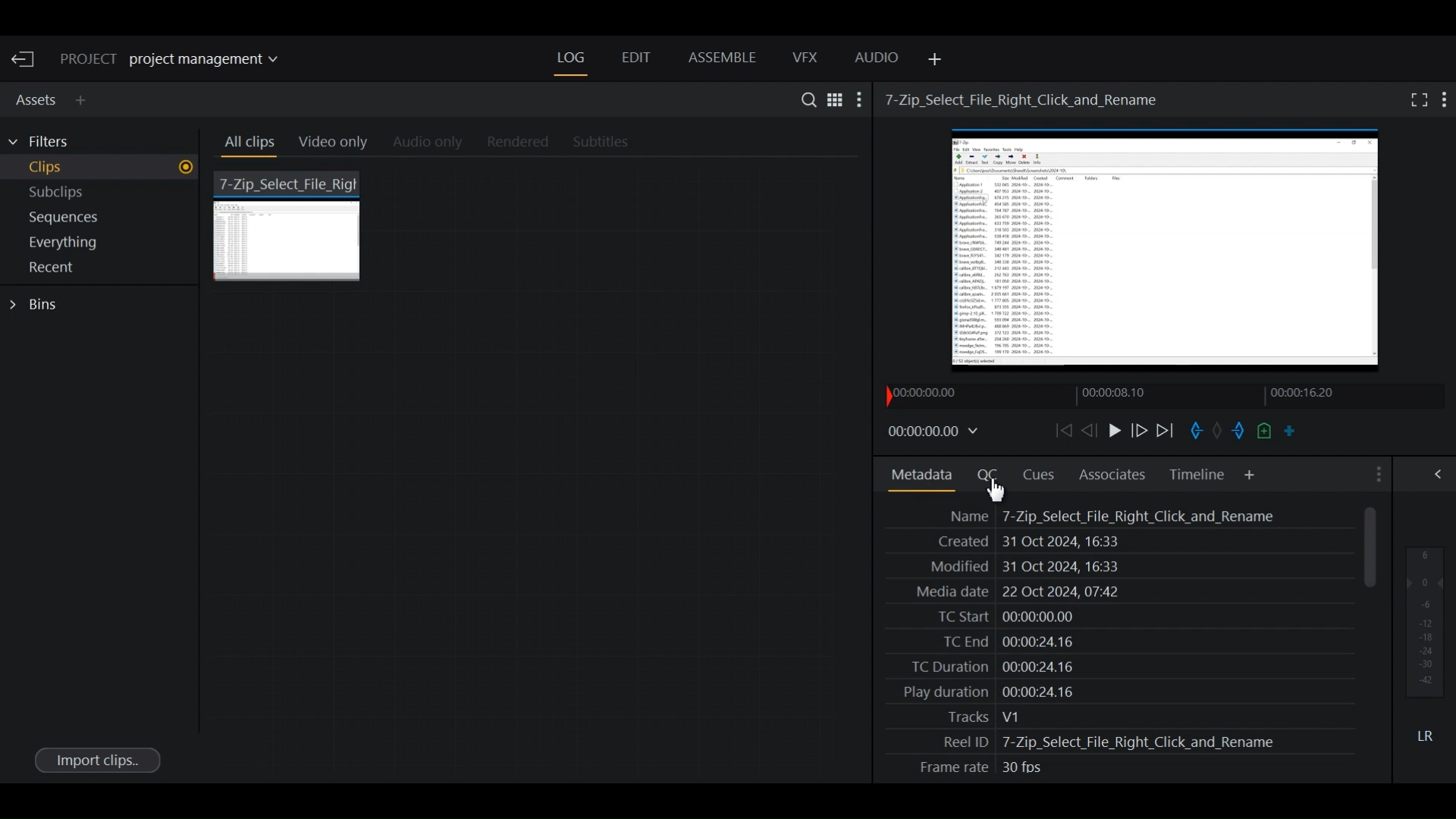 The height and width of the screenshot is (819, 1456). I want to click on Show everything in current project, so click(103, 244).